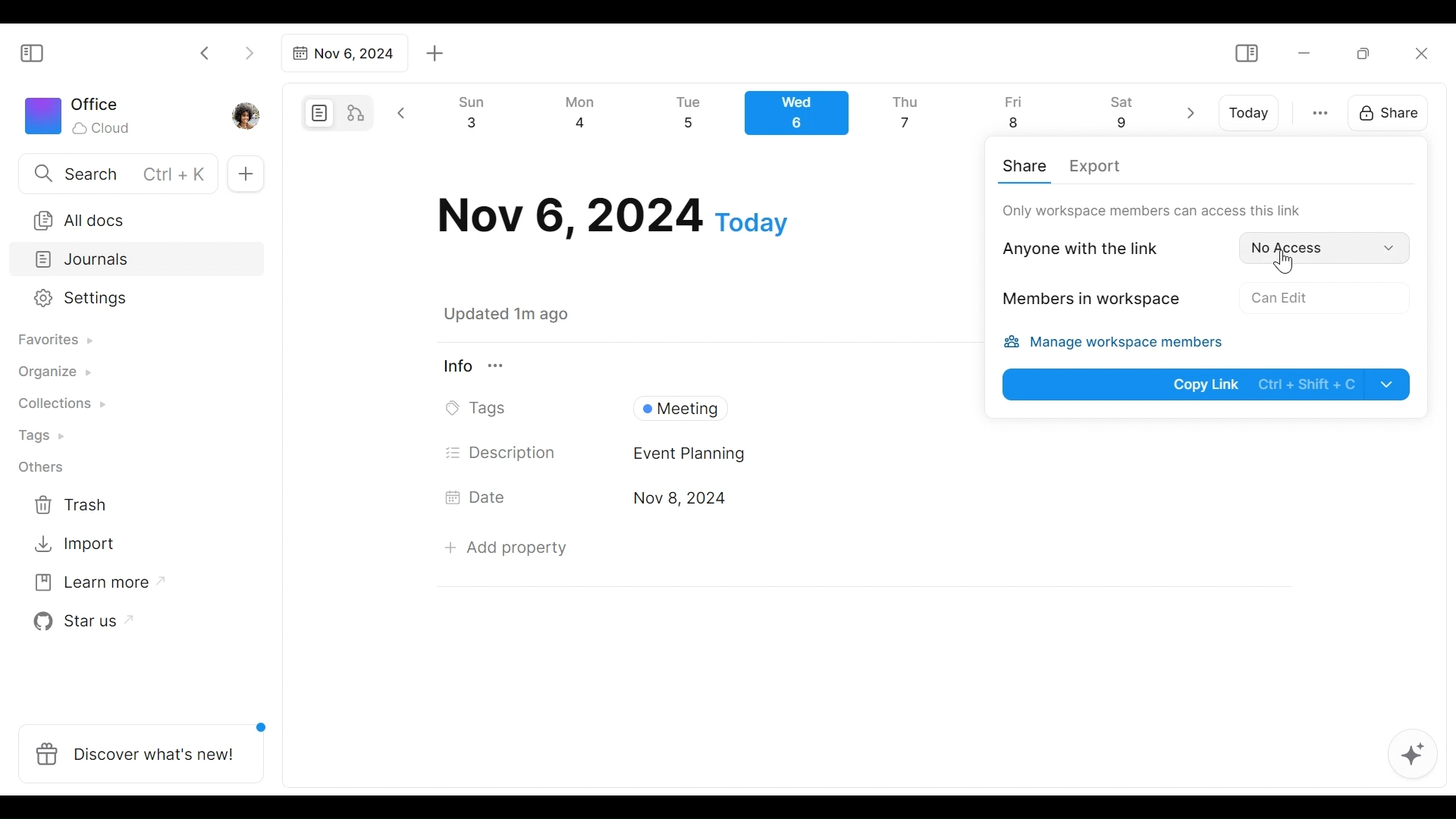 Image resolution: width=1456 pixels, height=819 pixels. Describe the element at coordinates (435, 54) in the screenshot. I see `Add new tab` at that location.